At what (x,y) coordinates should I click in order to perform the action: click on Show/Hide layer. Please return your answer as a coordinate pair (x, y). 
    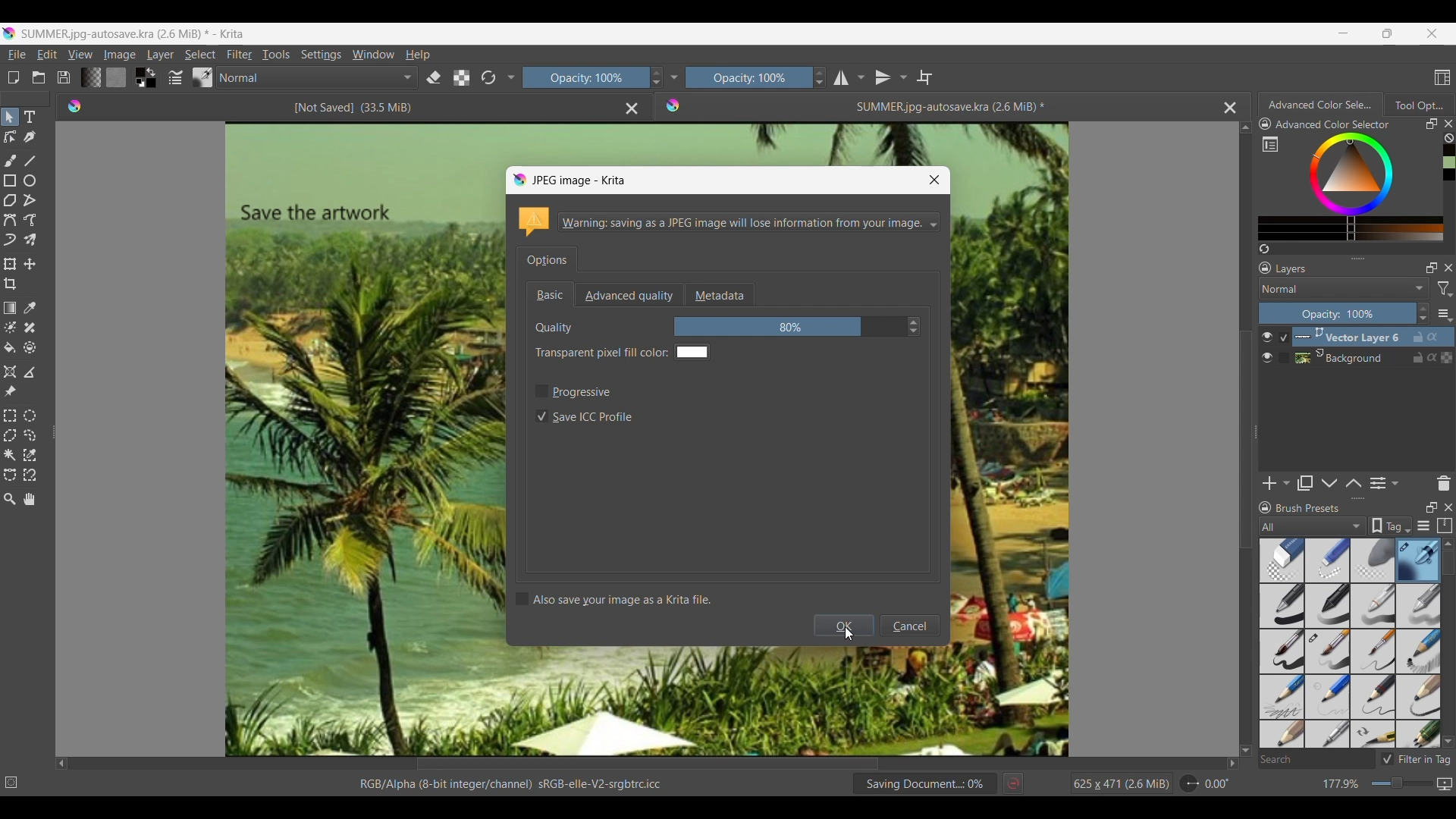
    Looking at the image, I should click on (1267, 347).